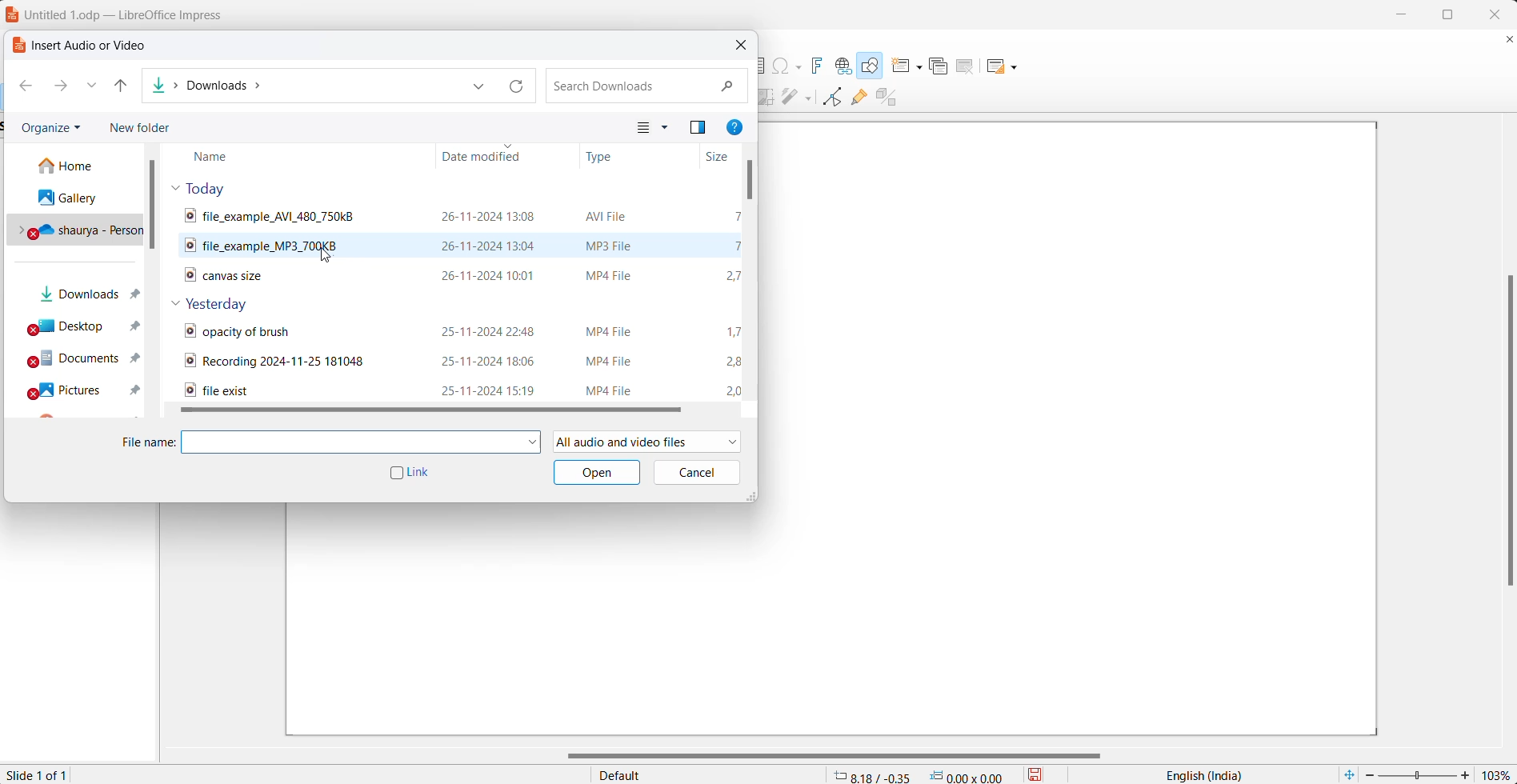 The height and width of the screenshot is (784, 1517). What do you see at coordinates (993, 66) in the screenshot?
I see `slide layout` at bounding box center [993, 66].